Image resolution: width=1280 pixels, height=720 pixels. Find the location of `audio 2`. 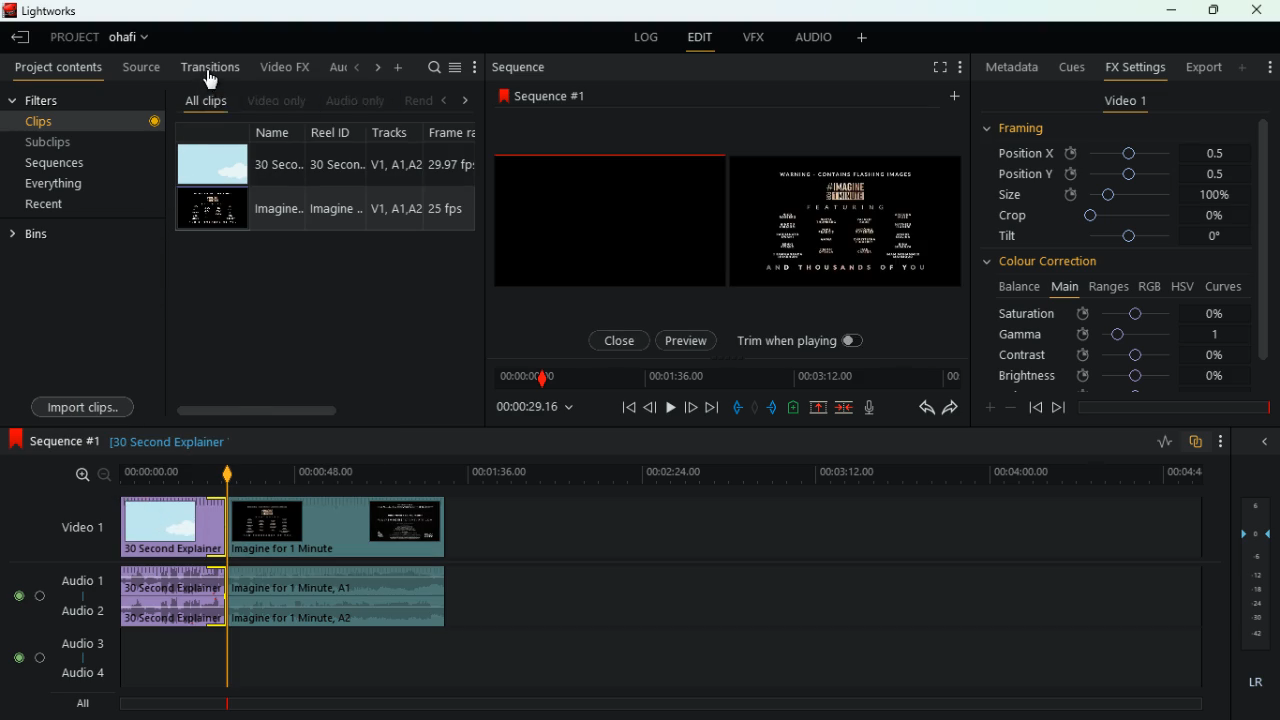

audio 2 is located at coordinates (80, 611).